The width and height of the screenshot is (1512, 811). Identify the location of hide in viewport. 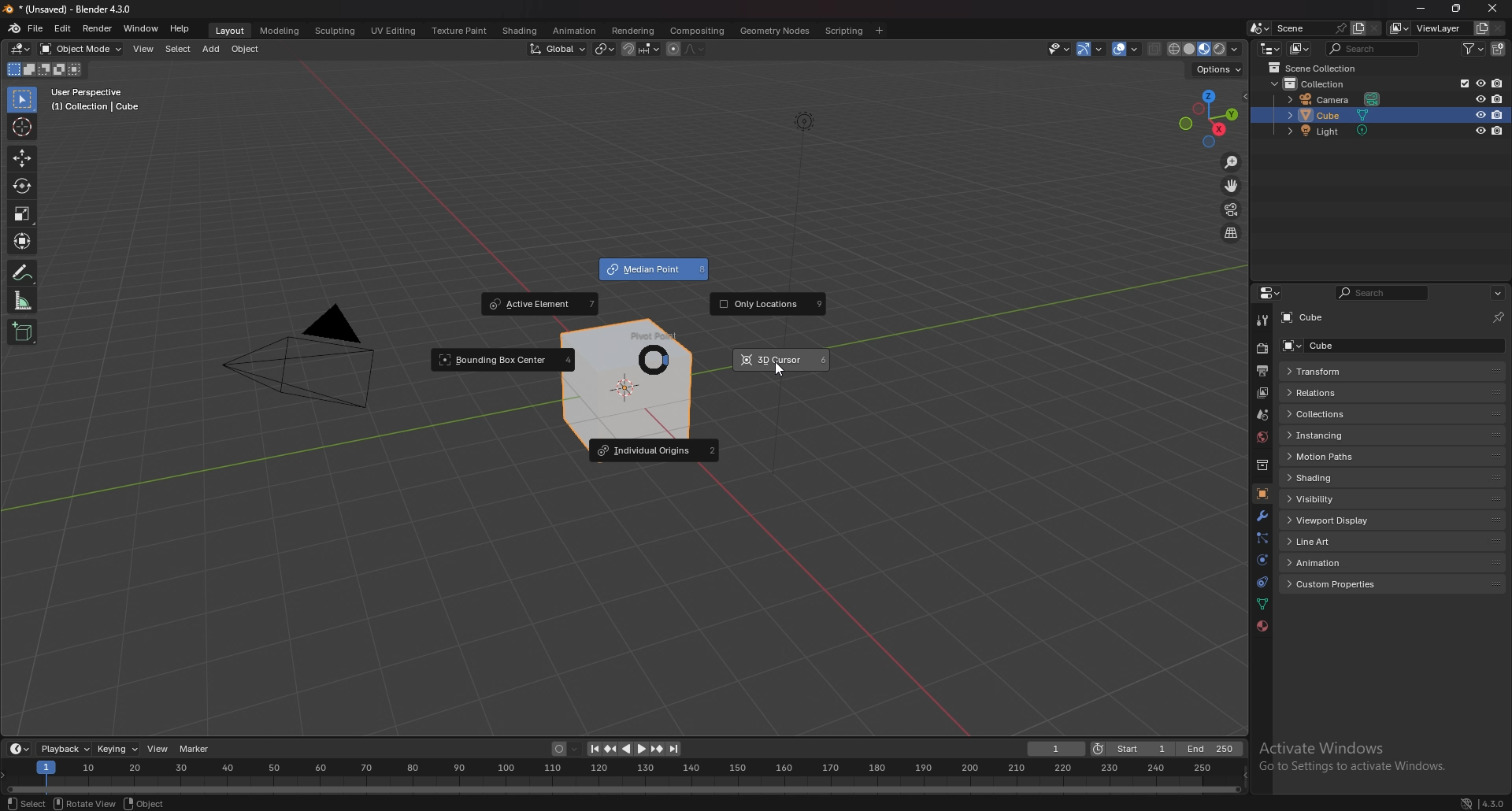
(1480, 114).